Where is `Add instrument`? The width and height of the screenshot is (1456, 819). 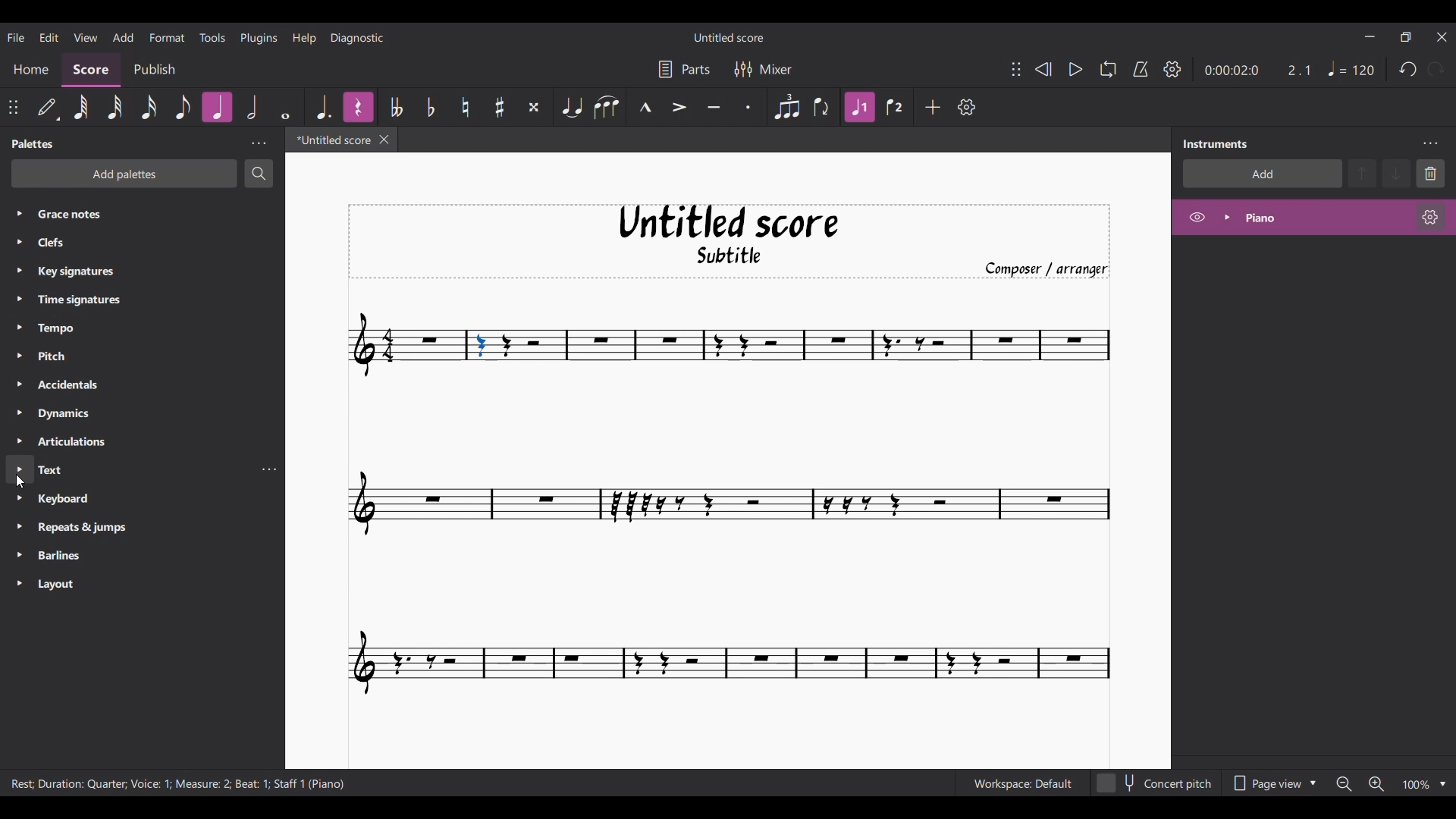
Add instrument is located at coordinates (1263, 174).